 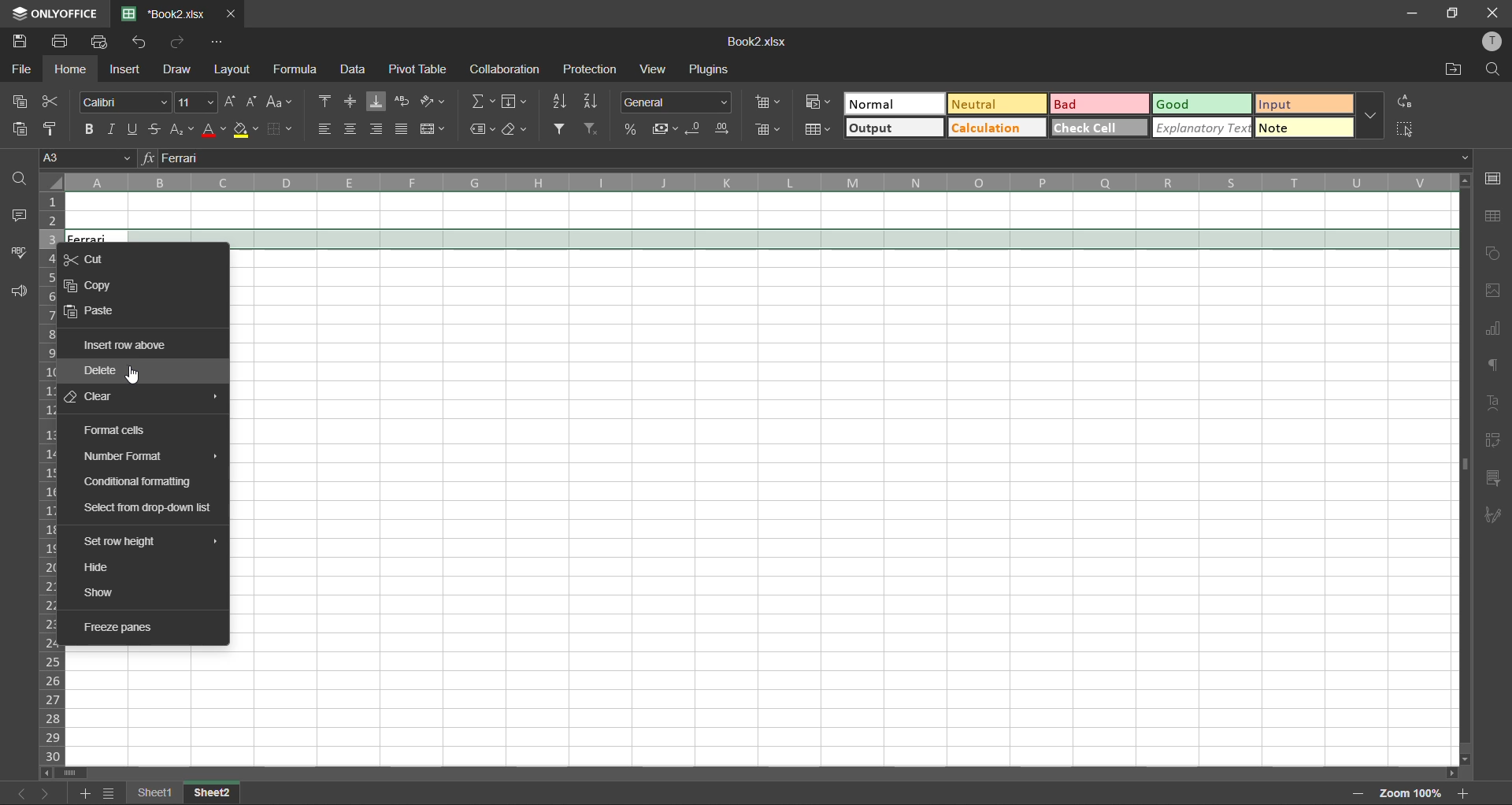 What do you see at coordinates (695, 128) in the screenshot?
I see `decrease decimal` at bounding box center [695, 128].